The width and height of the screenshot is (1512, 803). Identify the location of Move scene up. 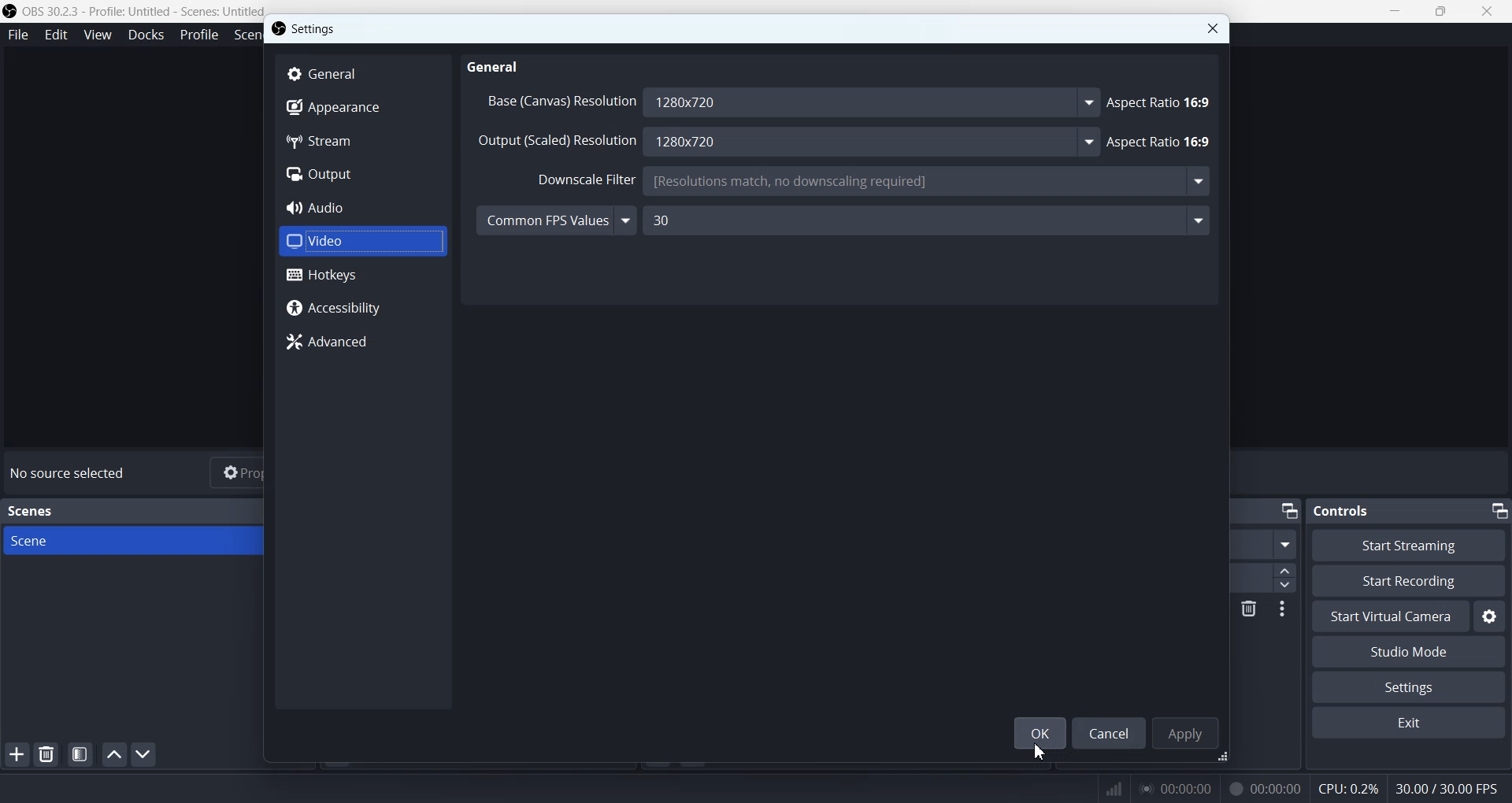
(113, 754).